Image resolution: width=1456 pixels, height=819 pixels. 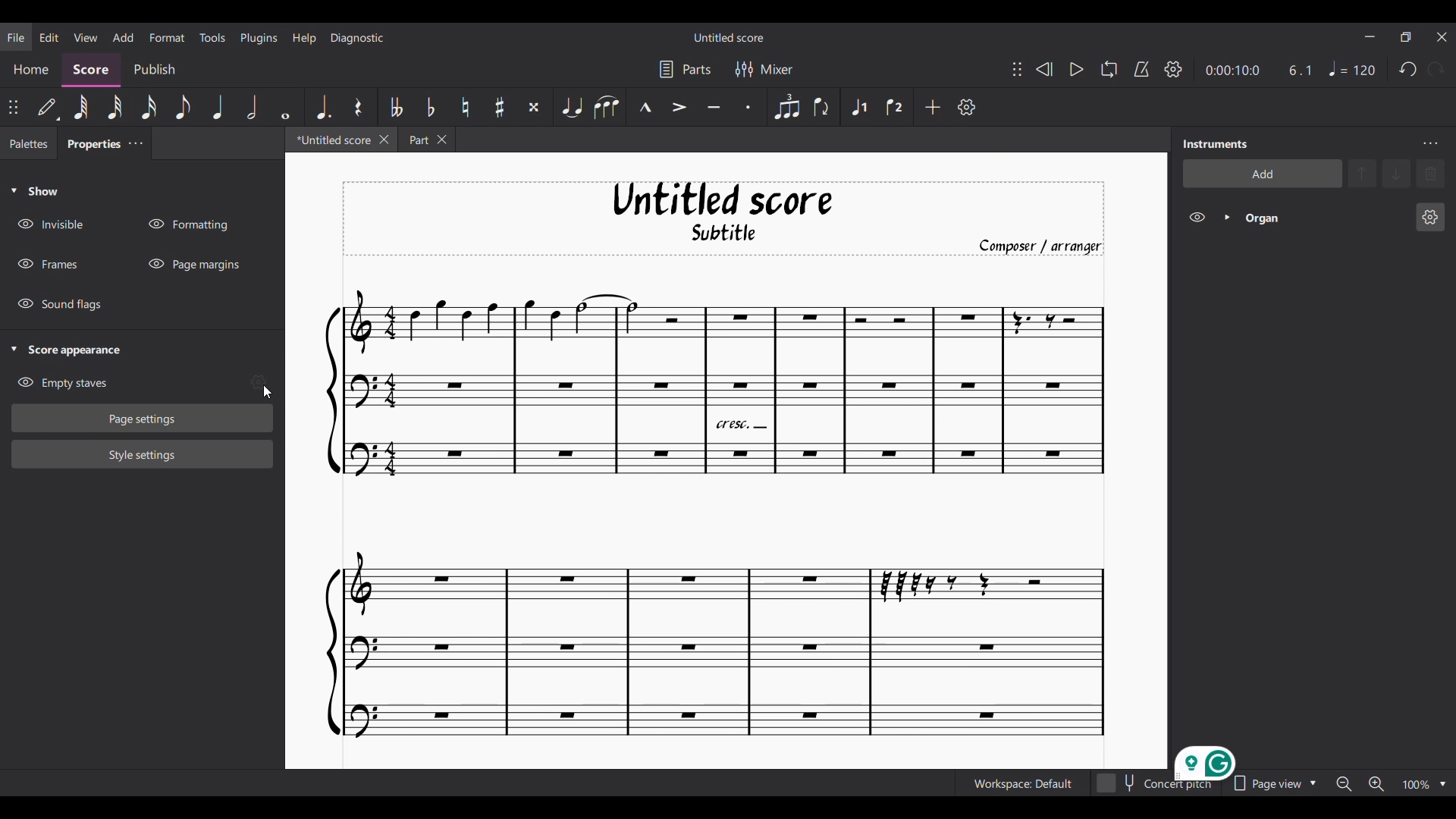 I want to click on Toggle flat, so click(x=429, y=106).